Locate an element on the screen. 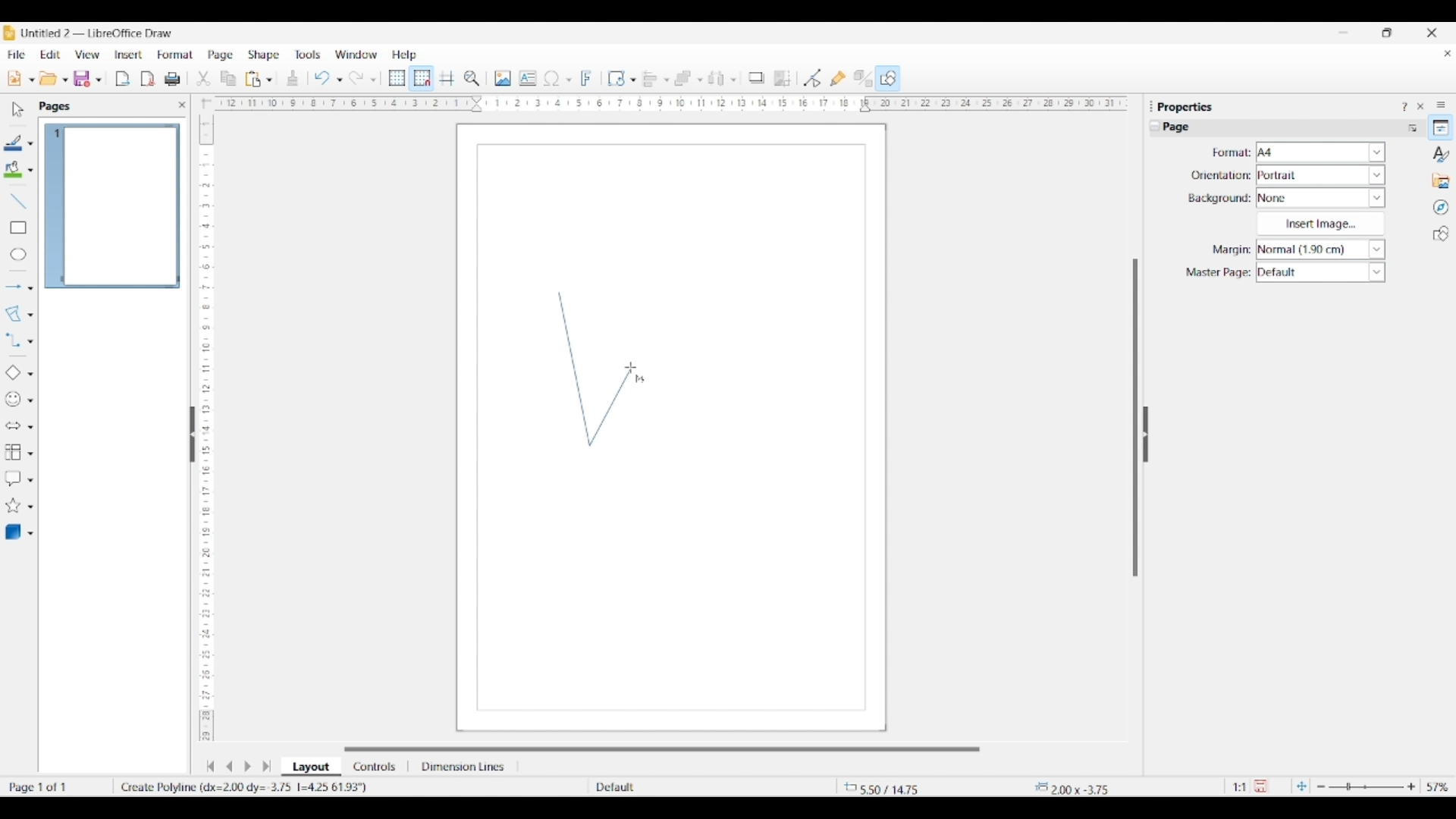 Image resolution: width=1456 pixels, height=819 pixels. Selected copy options is located at coordinates (203, 79).